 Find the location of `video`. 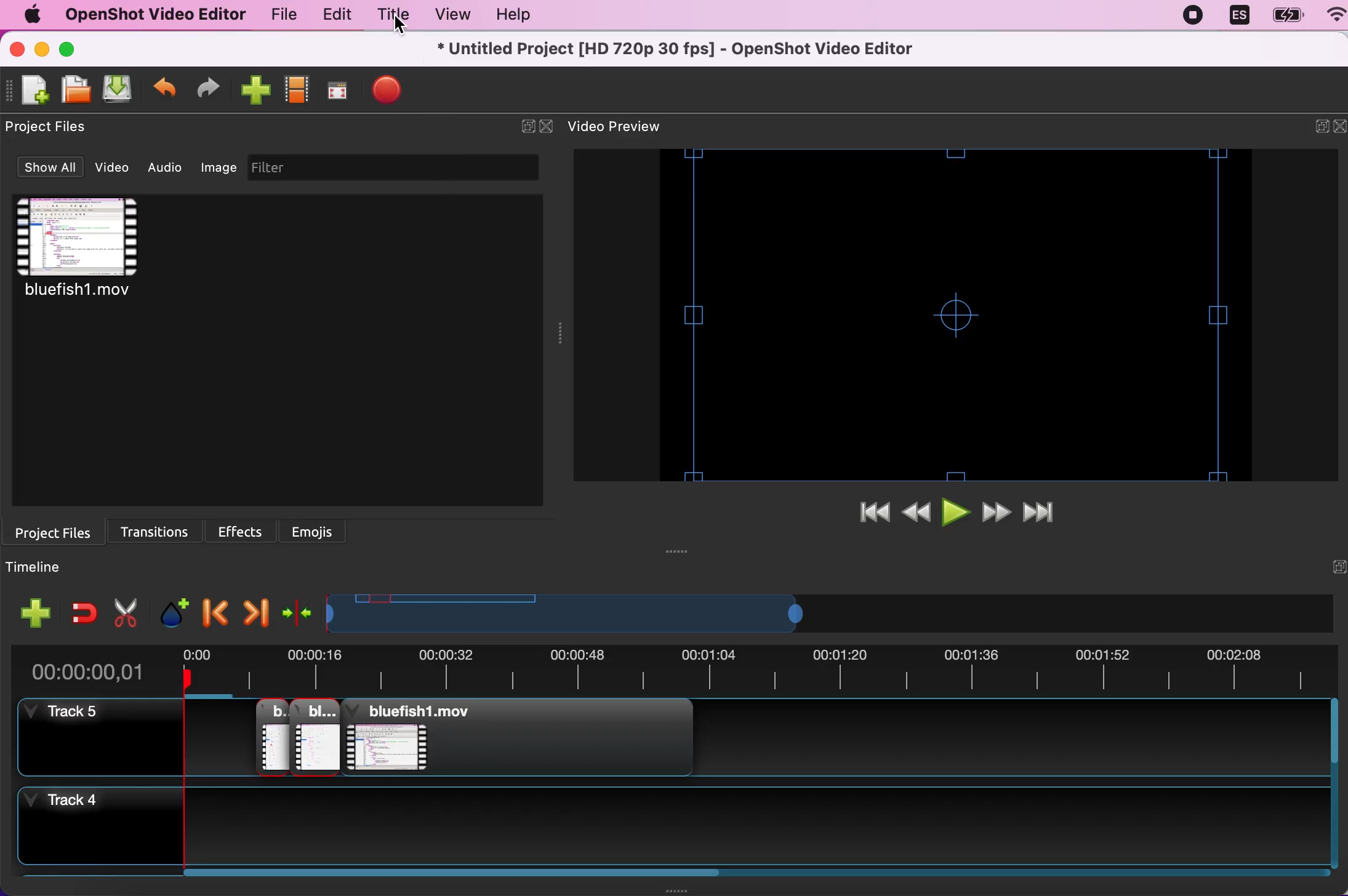

video is located at coordinates (100, 257).